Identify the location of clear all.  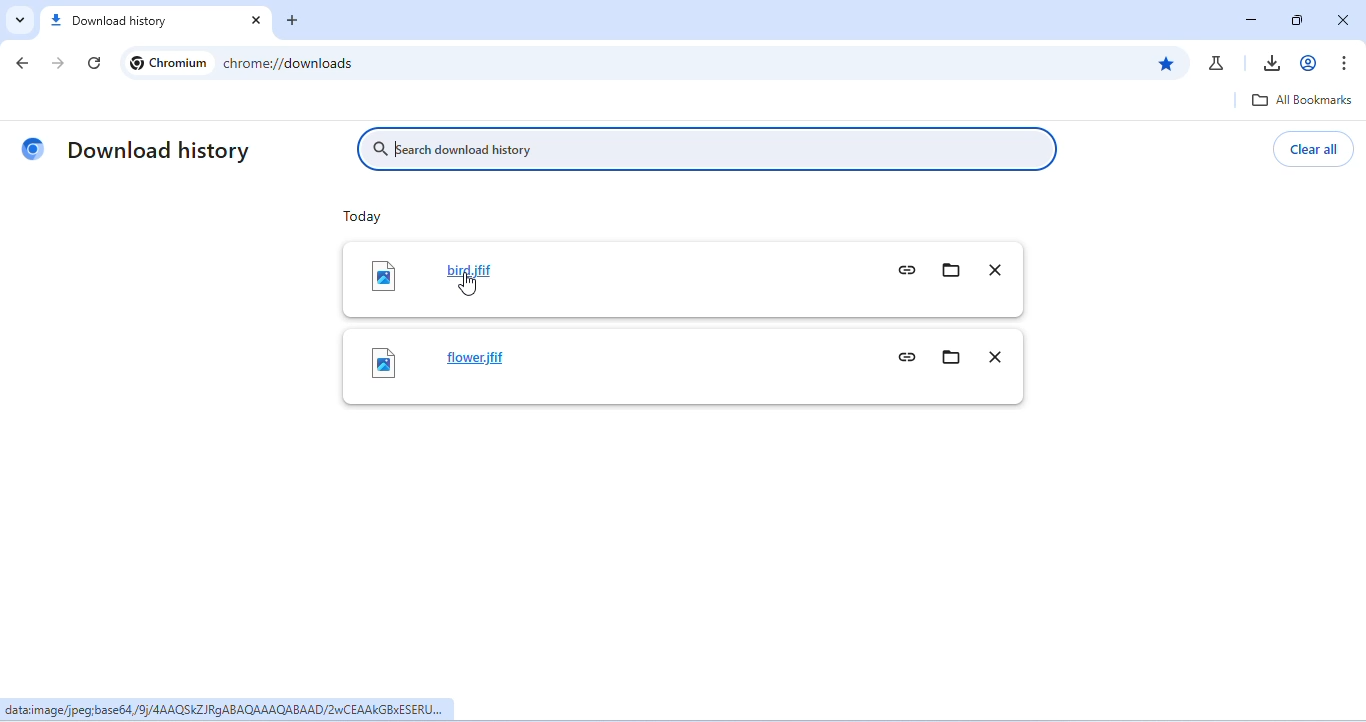
(1315, 150).